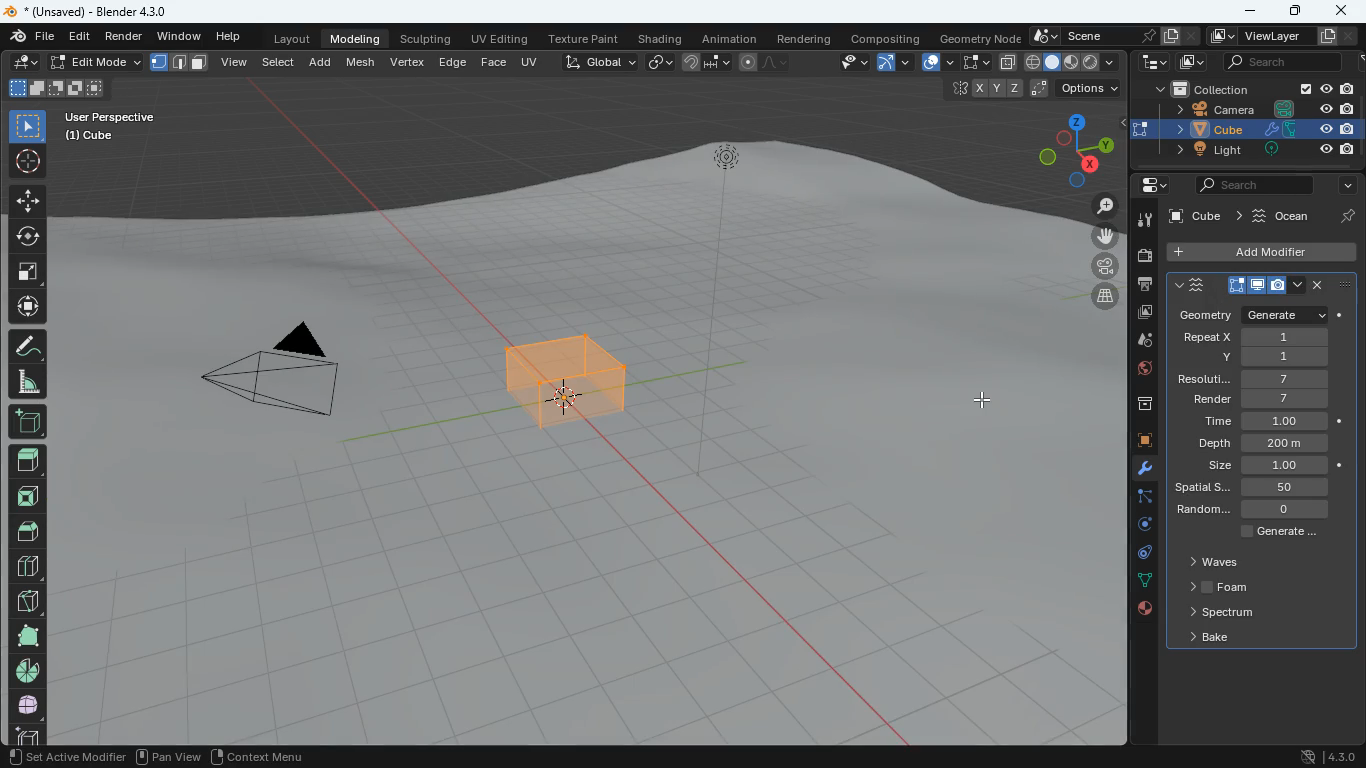 This screenshot has width=1366, height=768. Describe the element at coordinates (29, 529) in the screenshot. I see `top` at that location.